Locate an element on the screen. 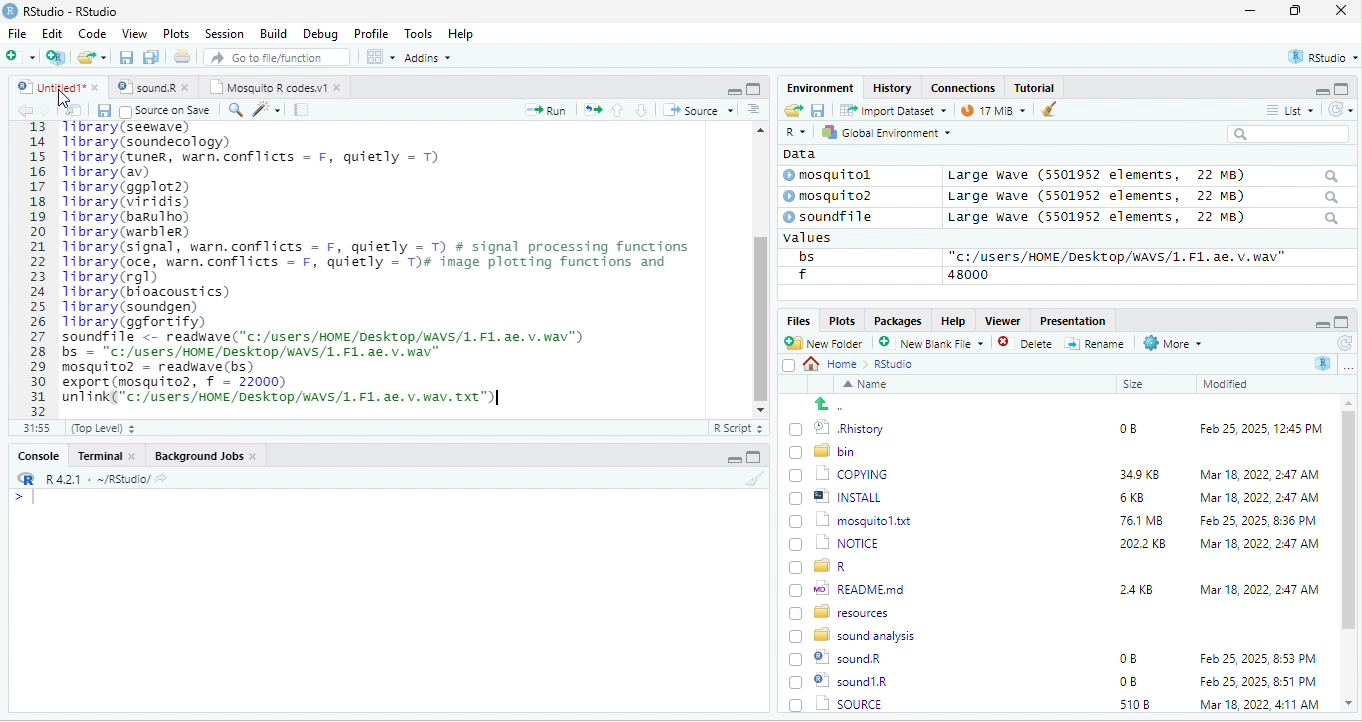 This screenshot has height=722, width=1362. hy Global Environment ~ is located at coordinates (881, 132).